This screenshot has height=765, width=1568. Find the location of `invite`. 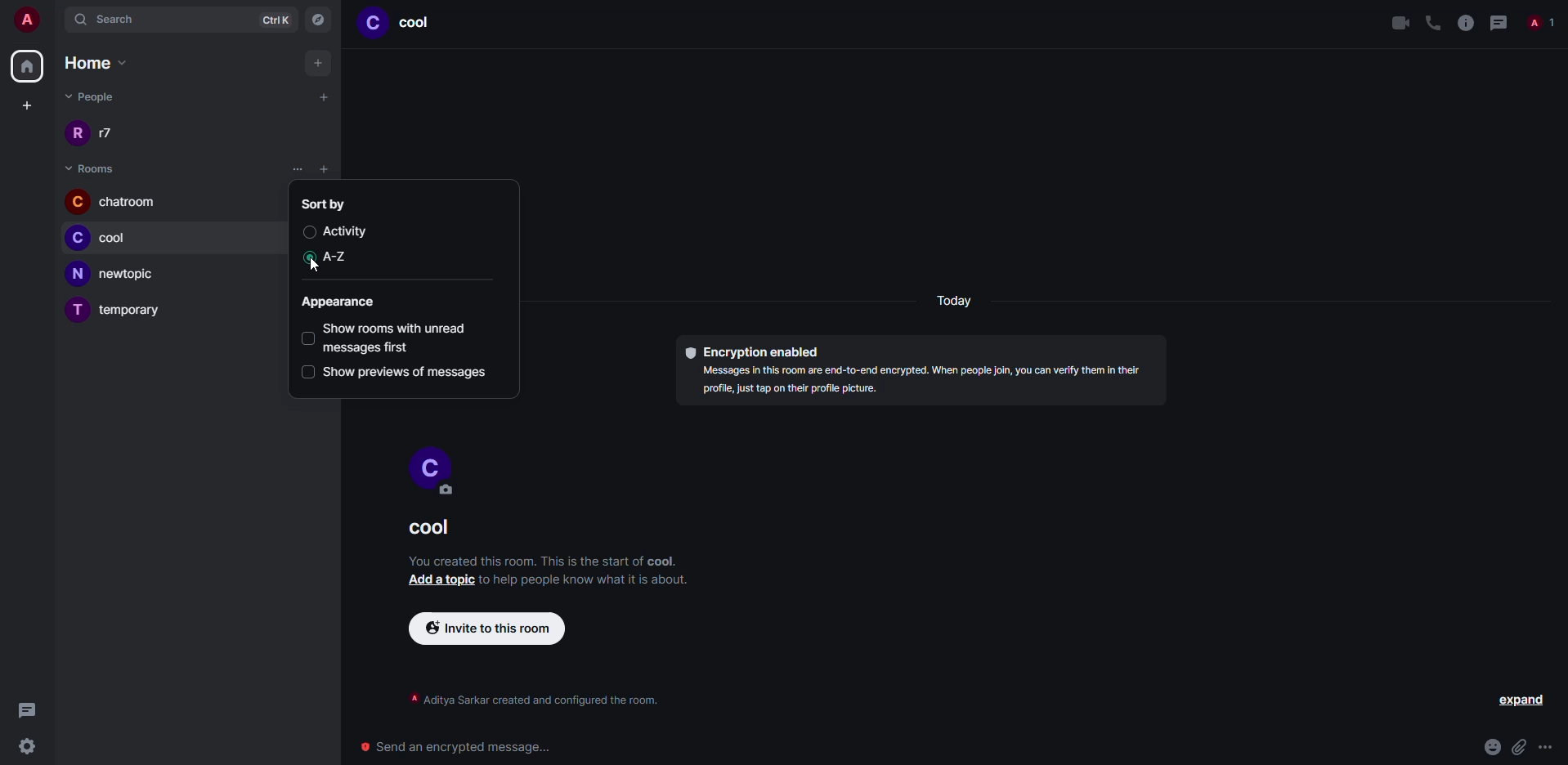

invite is located at coordinates (486, 629).